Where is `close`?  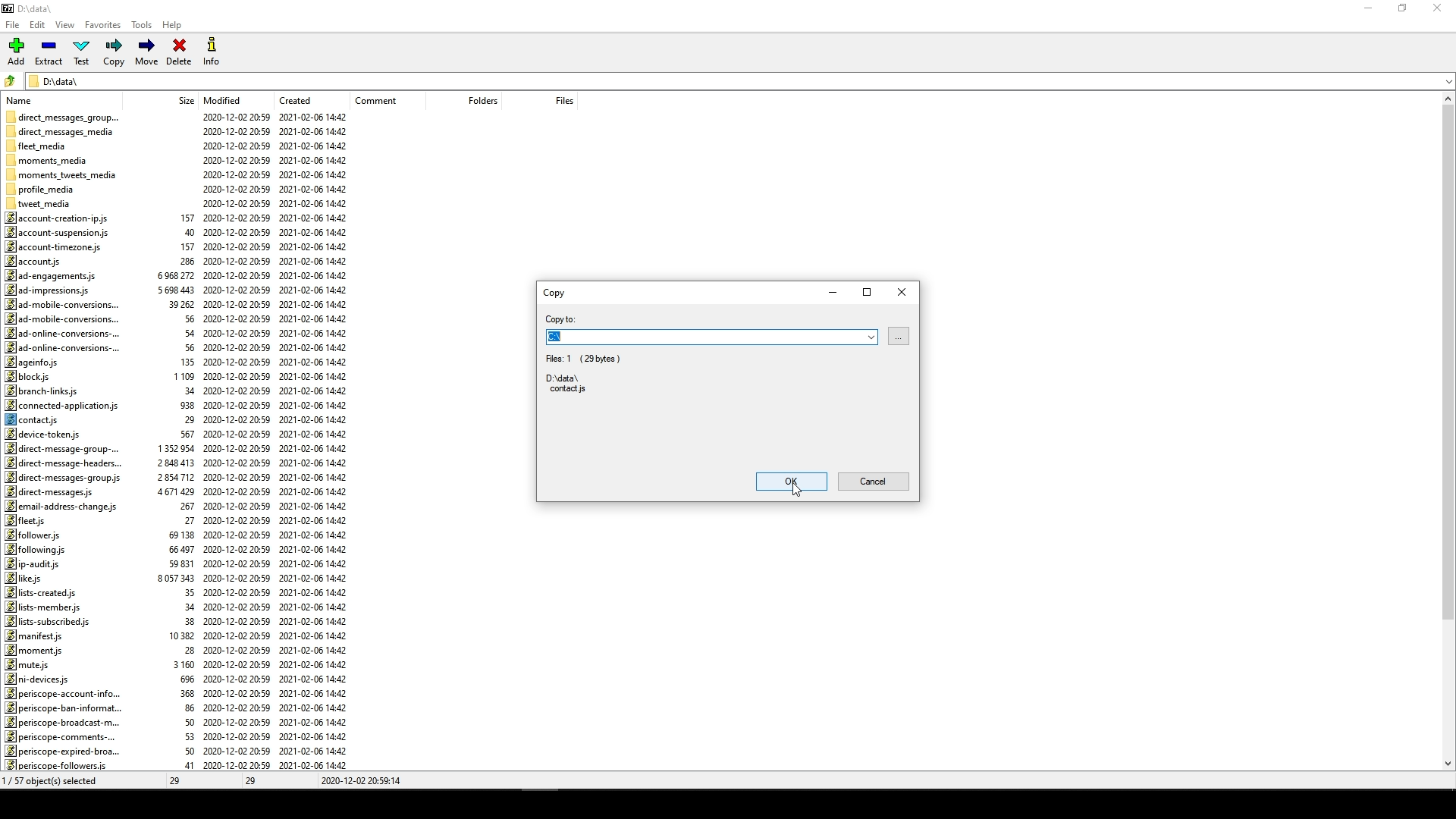 close is located at coordinates (1440, 9).